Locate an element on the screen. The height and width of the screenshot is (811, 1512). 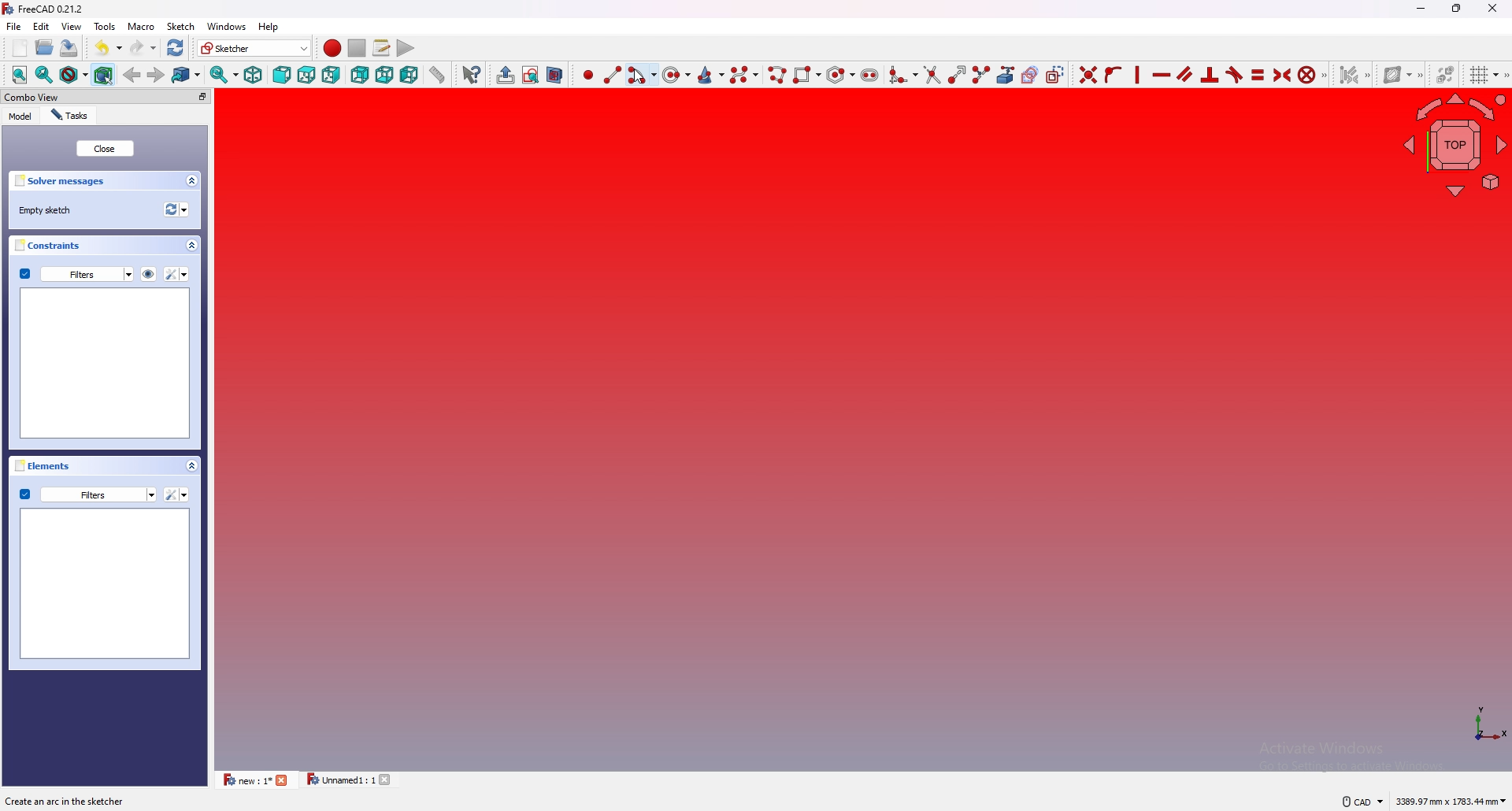
create line is located at coordinates (613, 74).